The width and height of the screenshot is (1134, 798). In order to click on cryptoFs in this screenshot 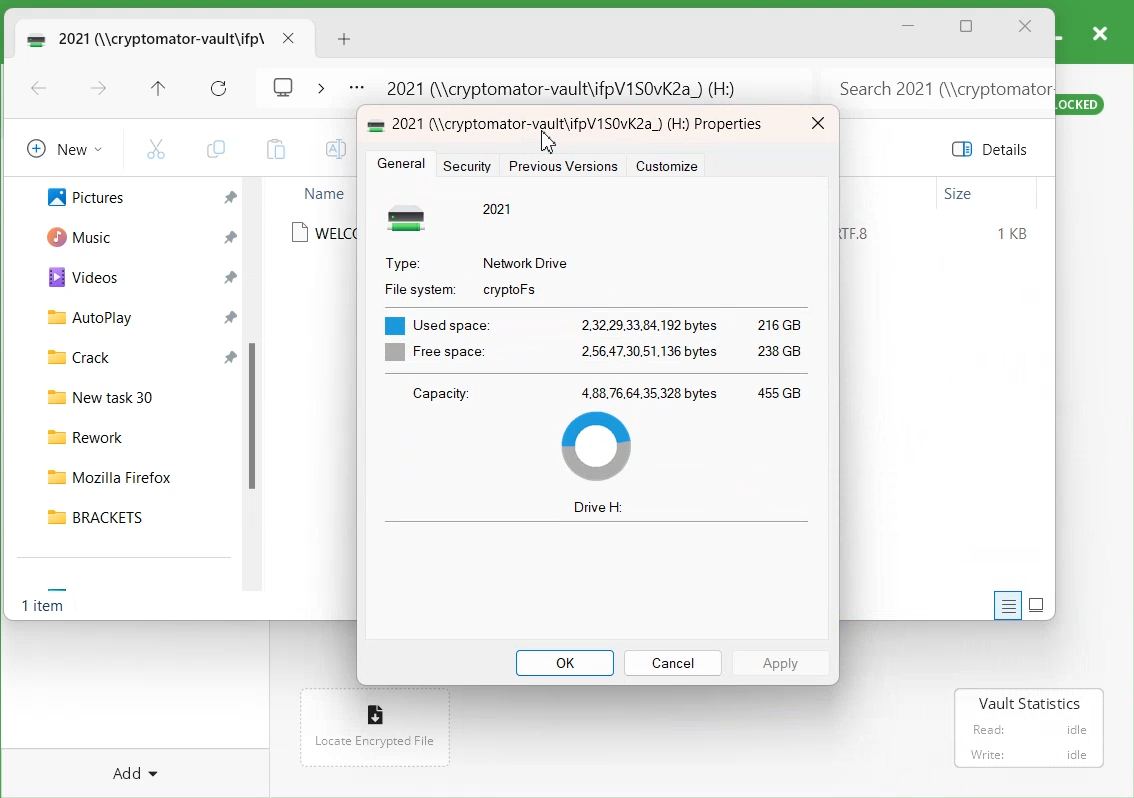, I will do `click(510, 290)`.